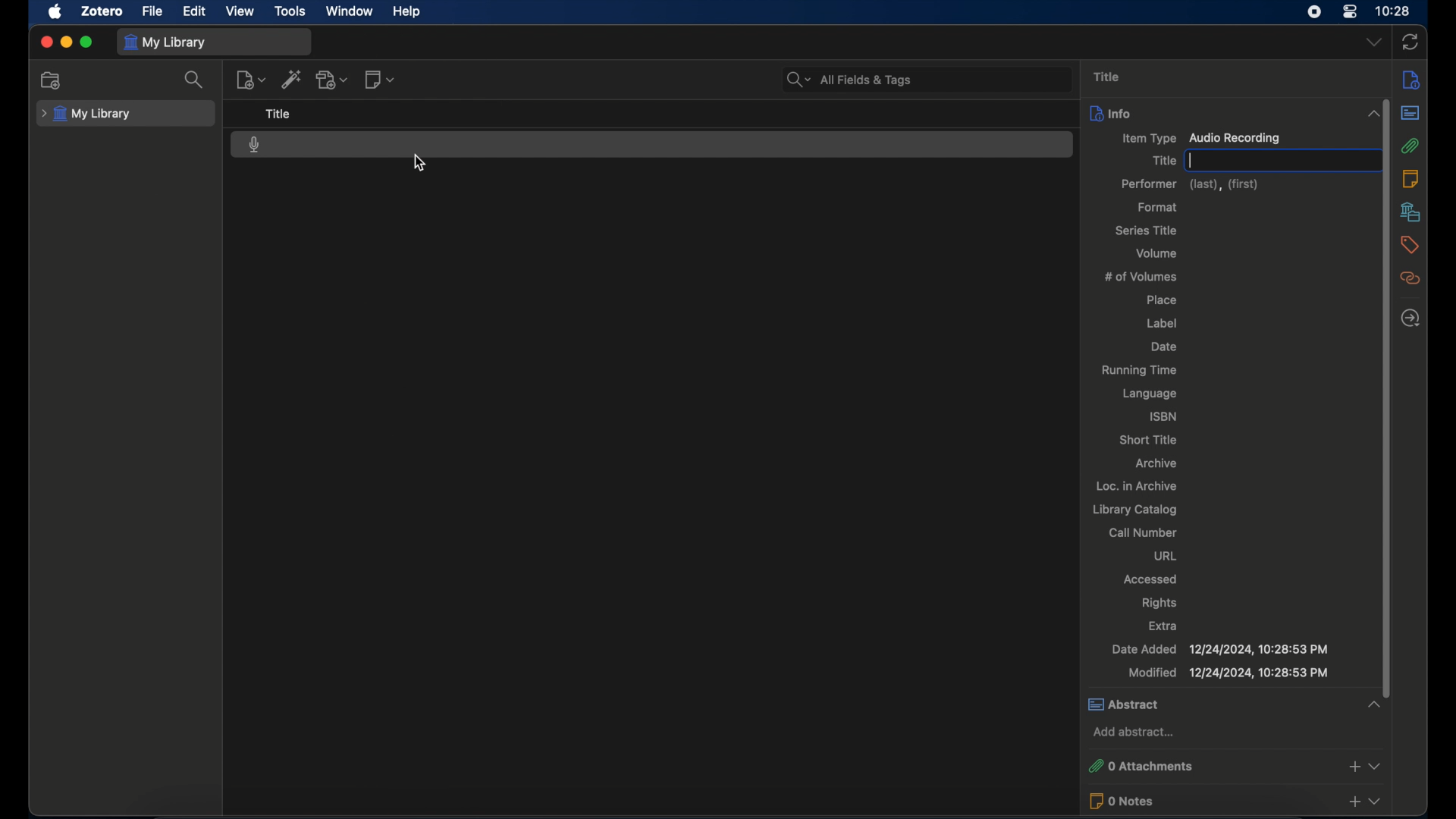  I want to click on add attachments, so click(332, 80).